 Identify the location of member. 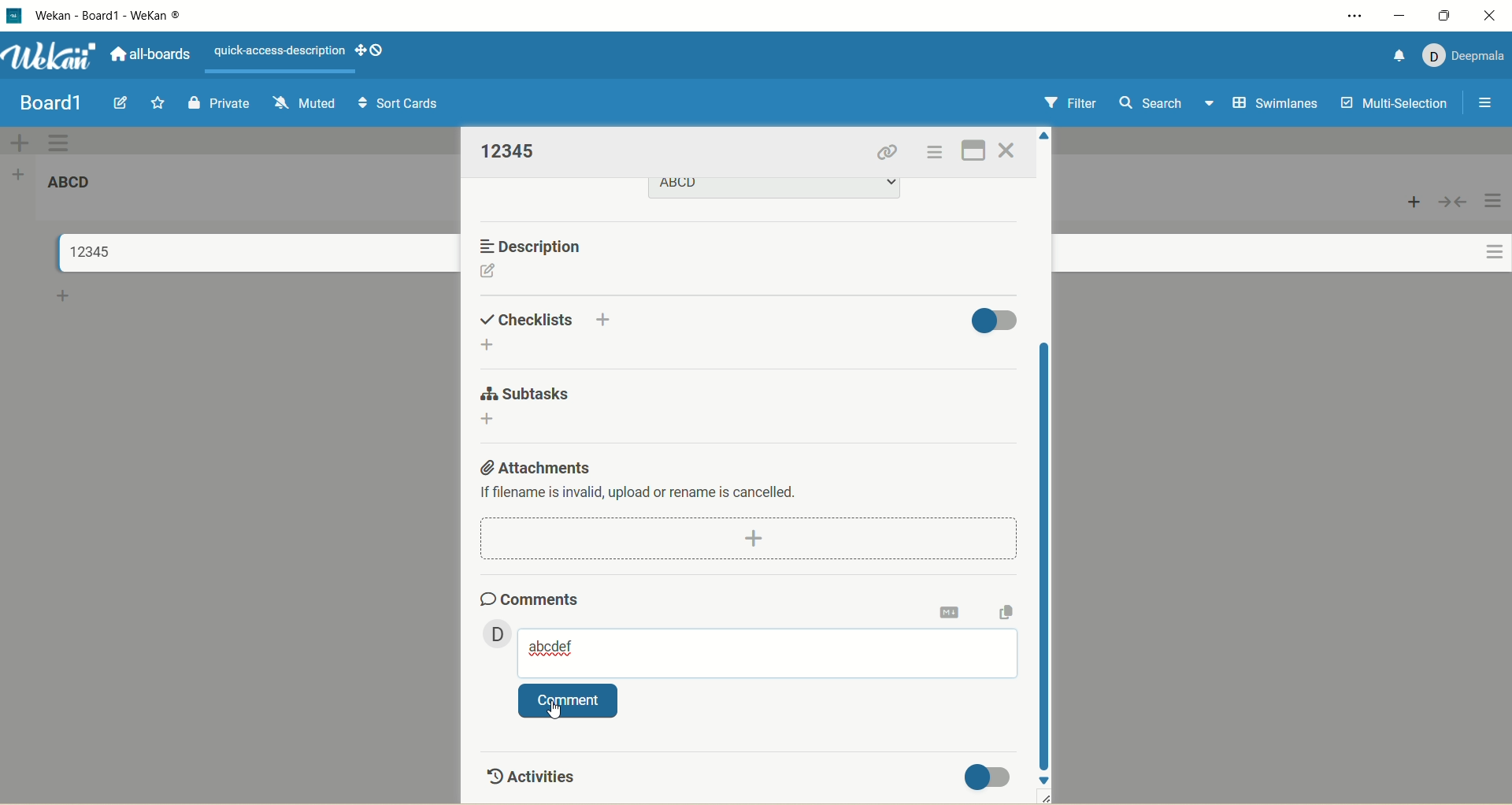
(492, 632).